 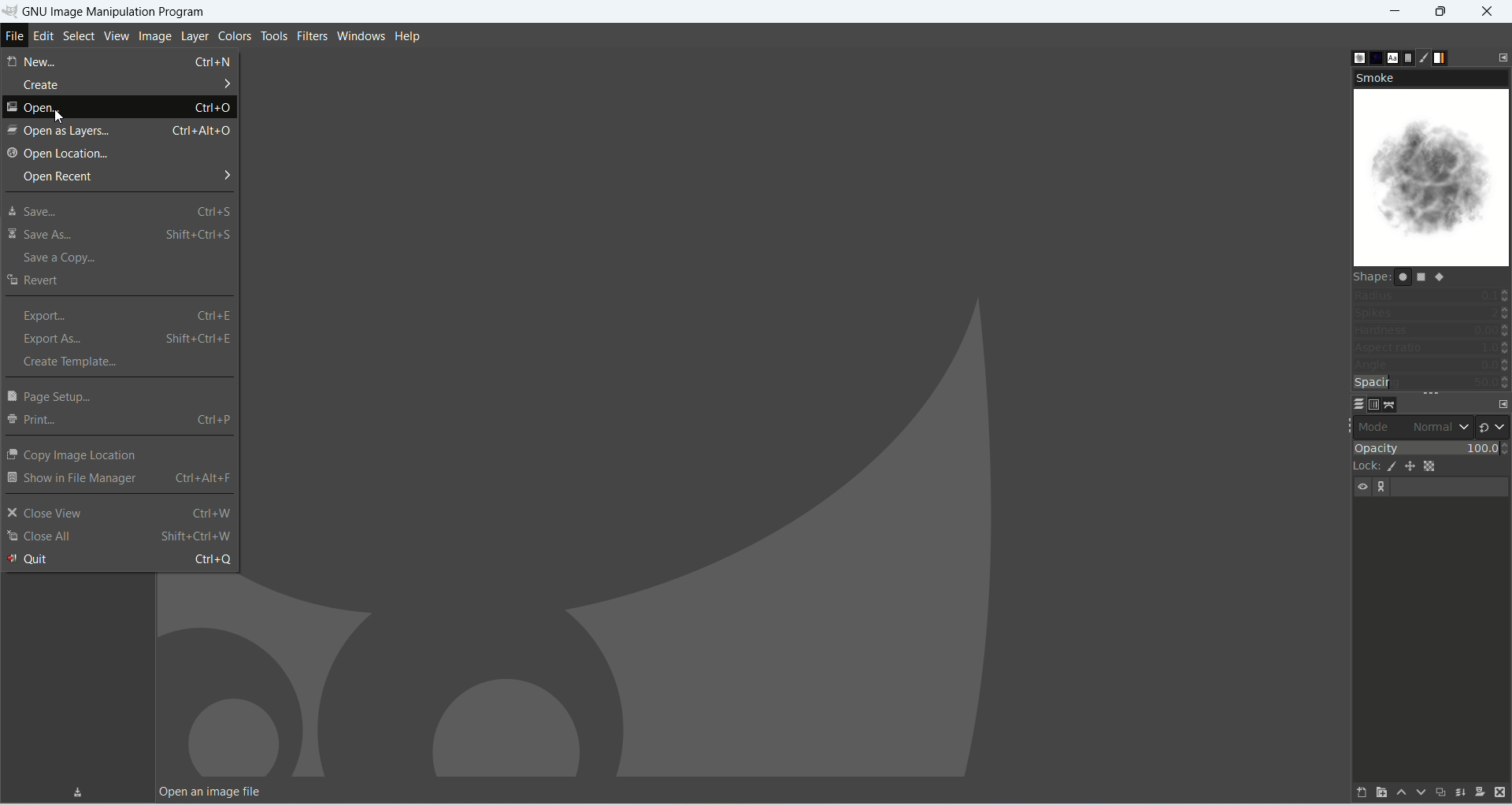 I want to click on revert, so click(x=35, y=279).